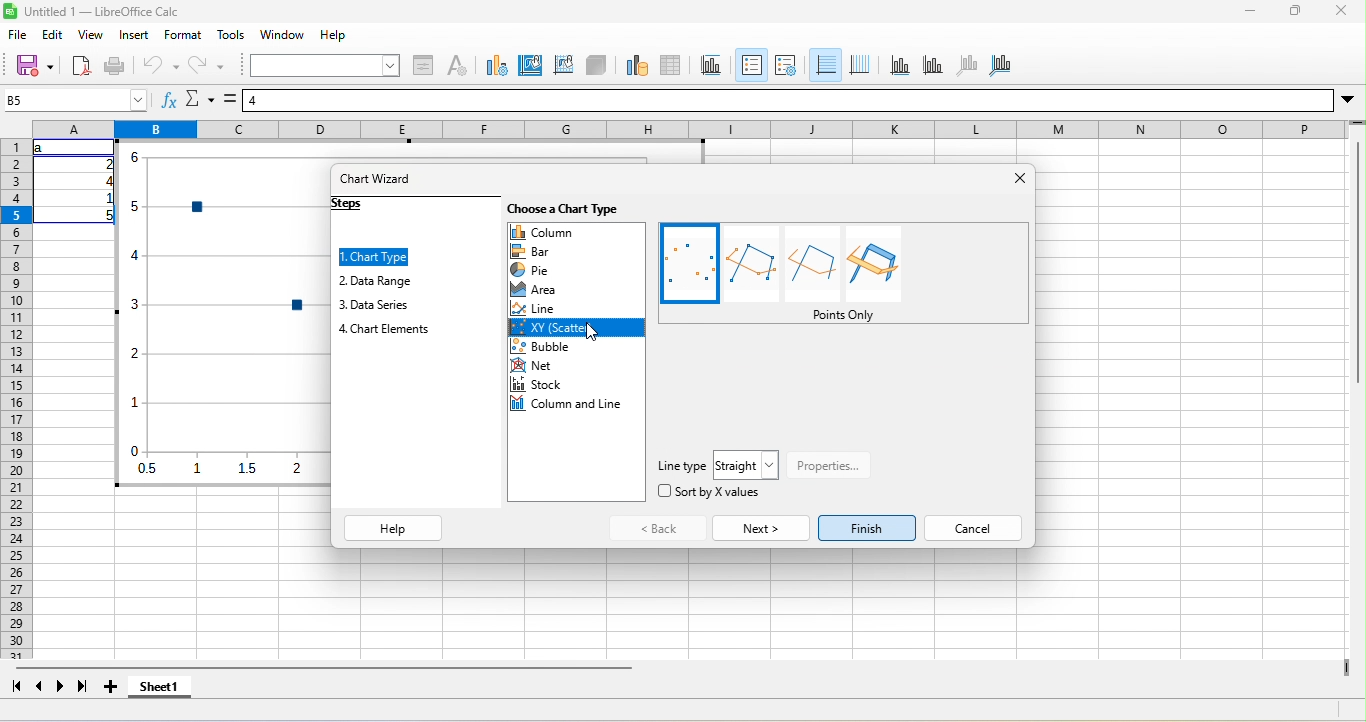 The image size is (1366, 722). I want to click on next, so click(762, 528).